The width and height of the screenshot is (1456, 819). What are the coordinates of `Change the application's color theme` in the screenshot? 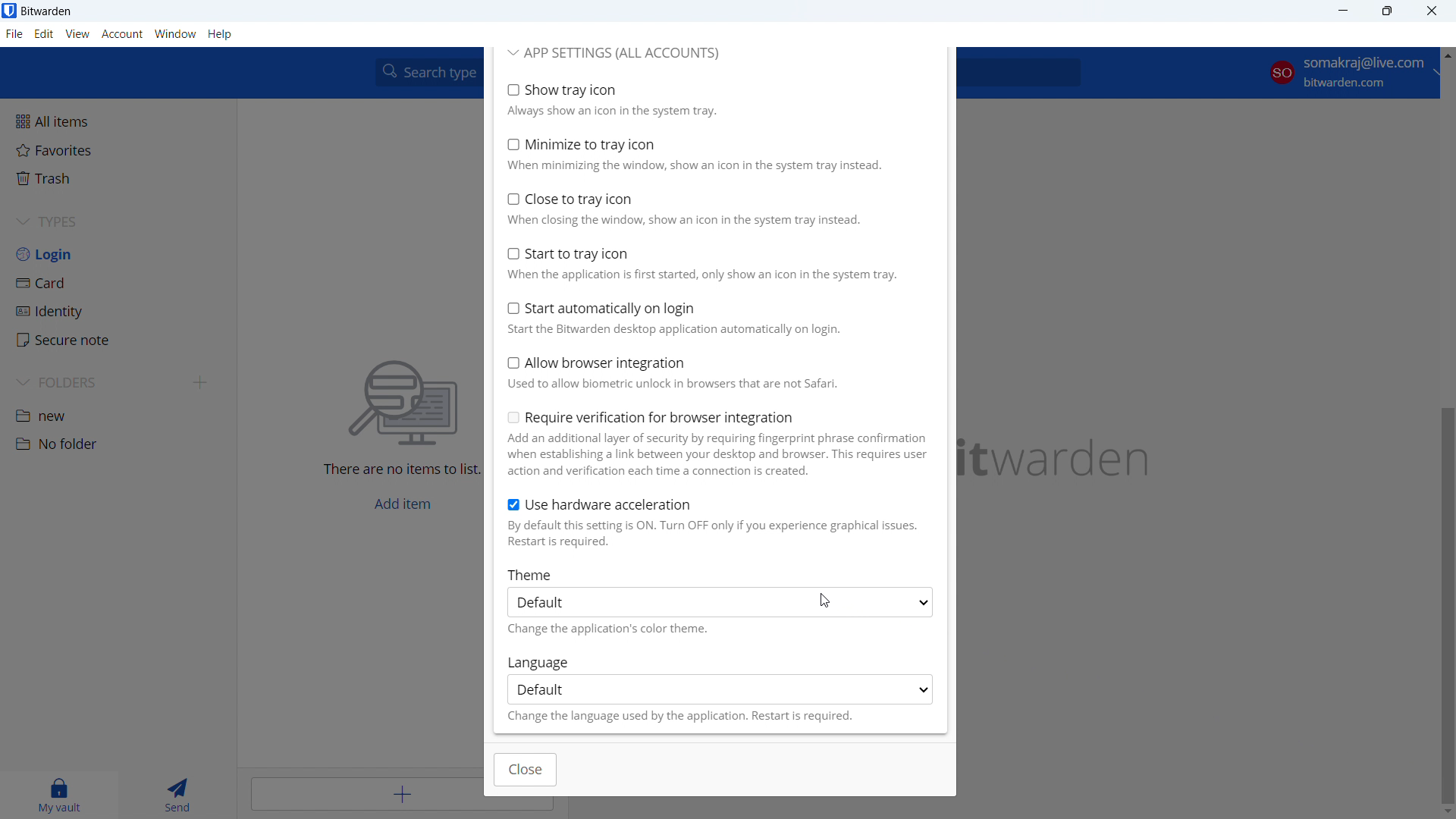 It's located at (627, 629).